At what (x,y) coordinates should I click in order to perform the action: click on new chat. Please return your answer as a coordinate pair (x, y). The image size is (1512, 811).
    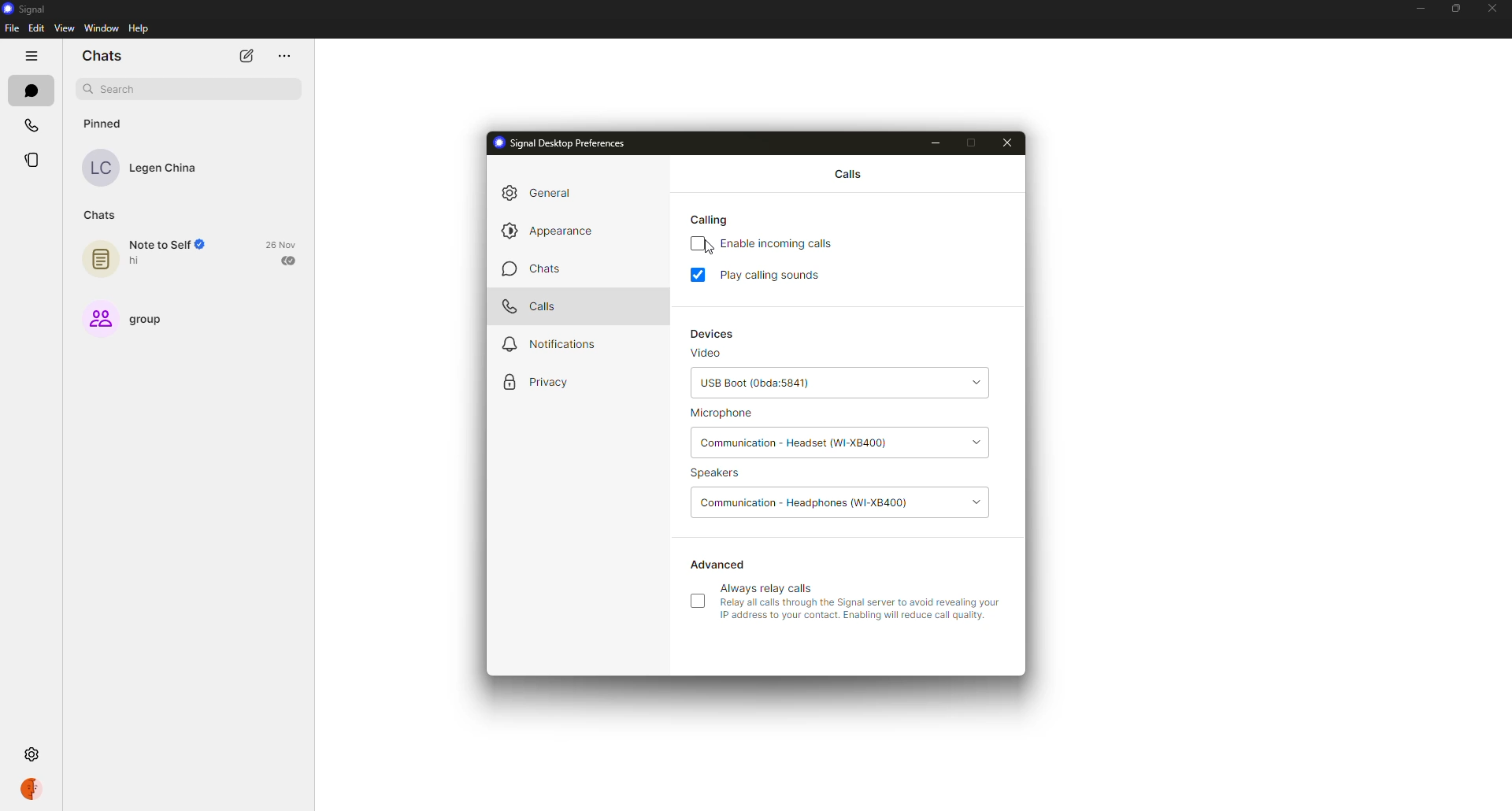
    Looking at the image, I should click on (246, 56).